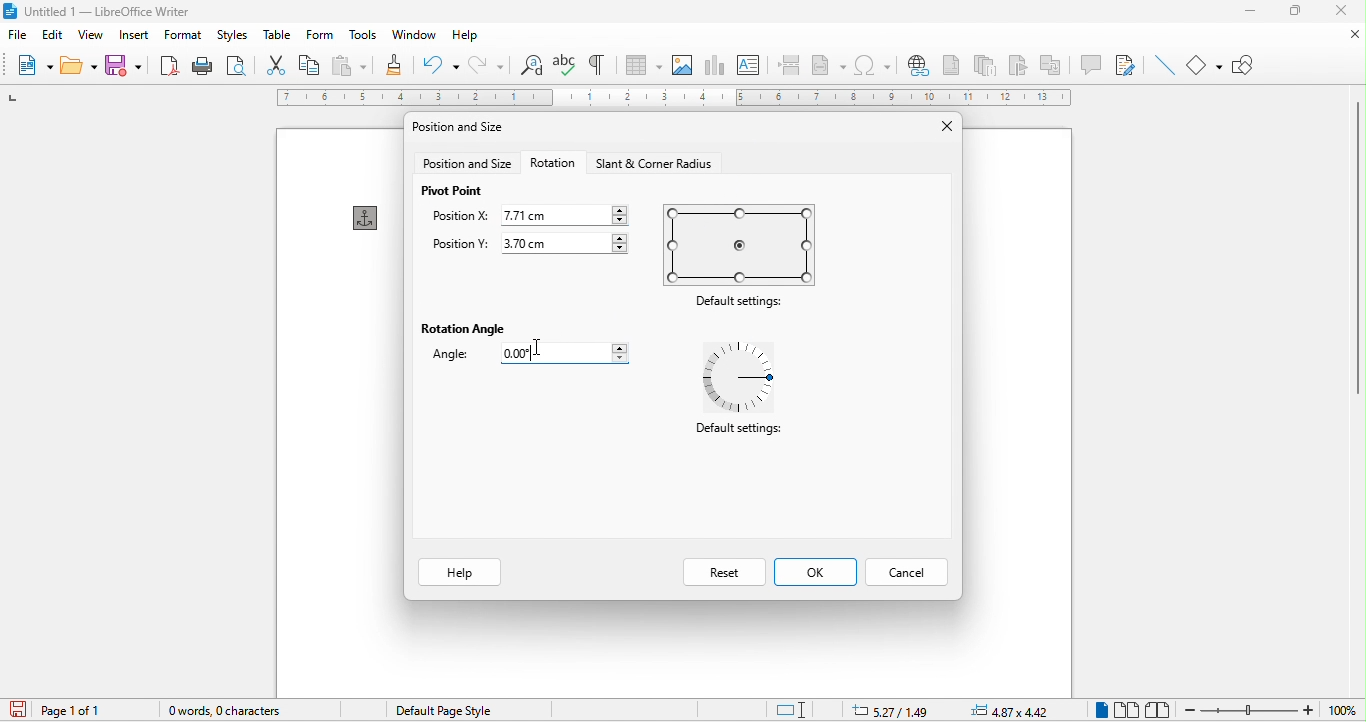  Describe the element at coordinates (675, 97) in the screenshot. I see `ruler` at that location.